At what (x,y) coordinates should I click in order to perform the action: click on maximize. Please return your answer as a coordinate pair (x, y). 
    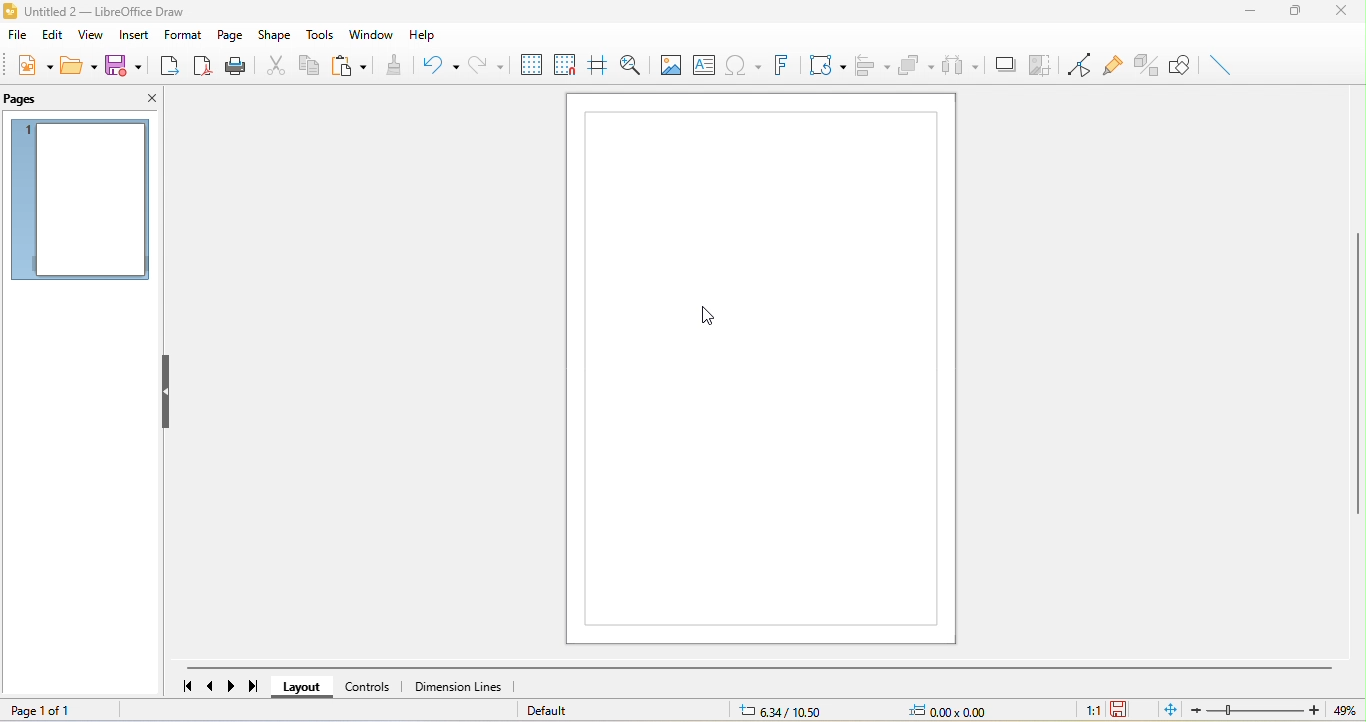
    Looking at the image, I should click on (1293, 11).